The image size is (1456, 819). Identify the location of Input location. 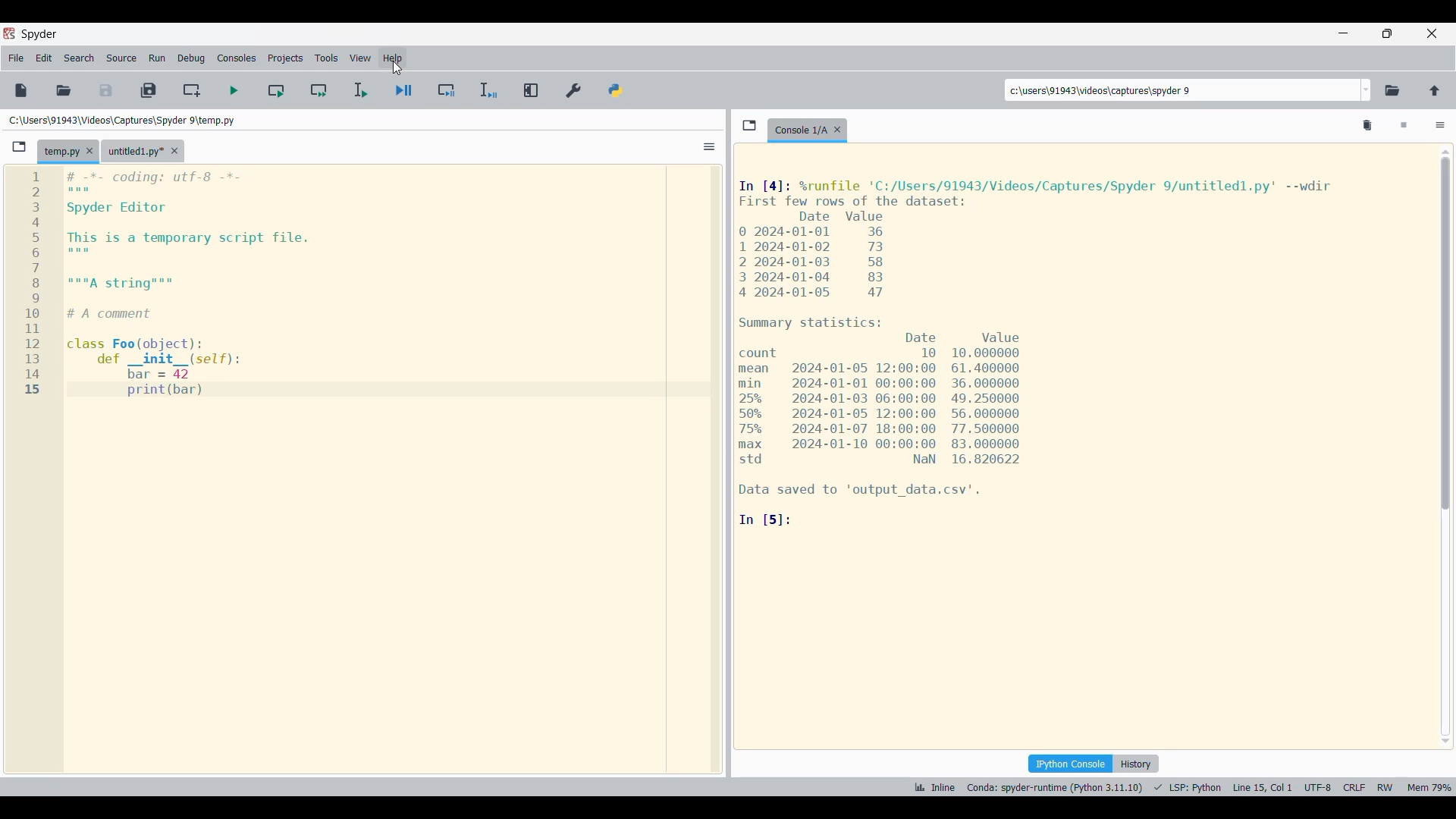
(1182, 90).